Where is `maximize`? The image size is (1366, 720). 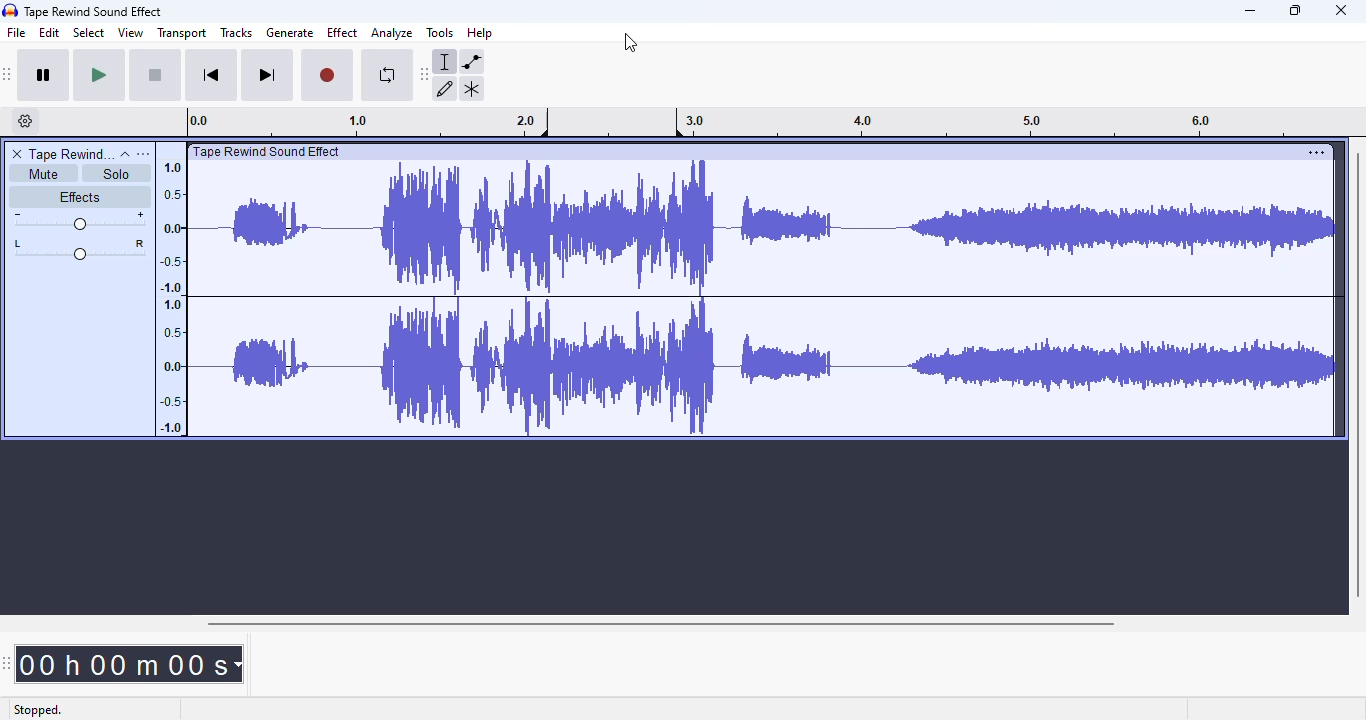
maximize is located at coordinates (1297, 10).